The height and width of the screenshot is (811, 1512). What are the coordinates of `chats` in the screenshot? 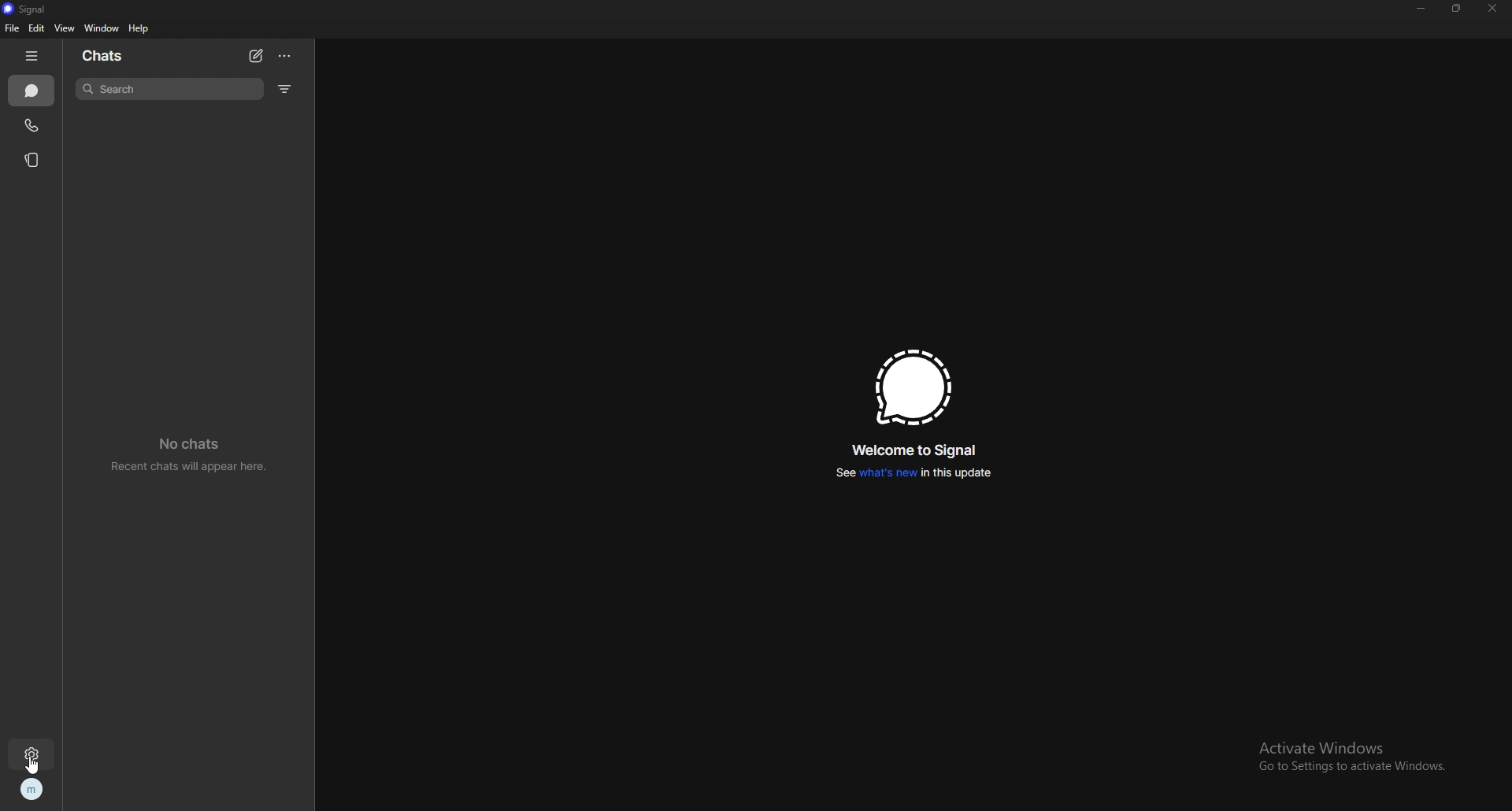 It's located at (31, 91).